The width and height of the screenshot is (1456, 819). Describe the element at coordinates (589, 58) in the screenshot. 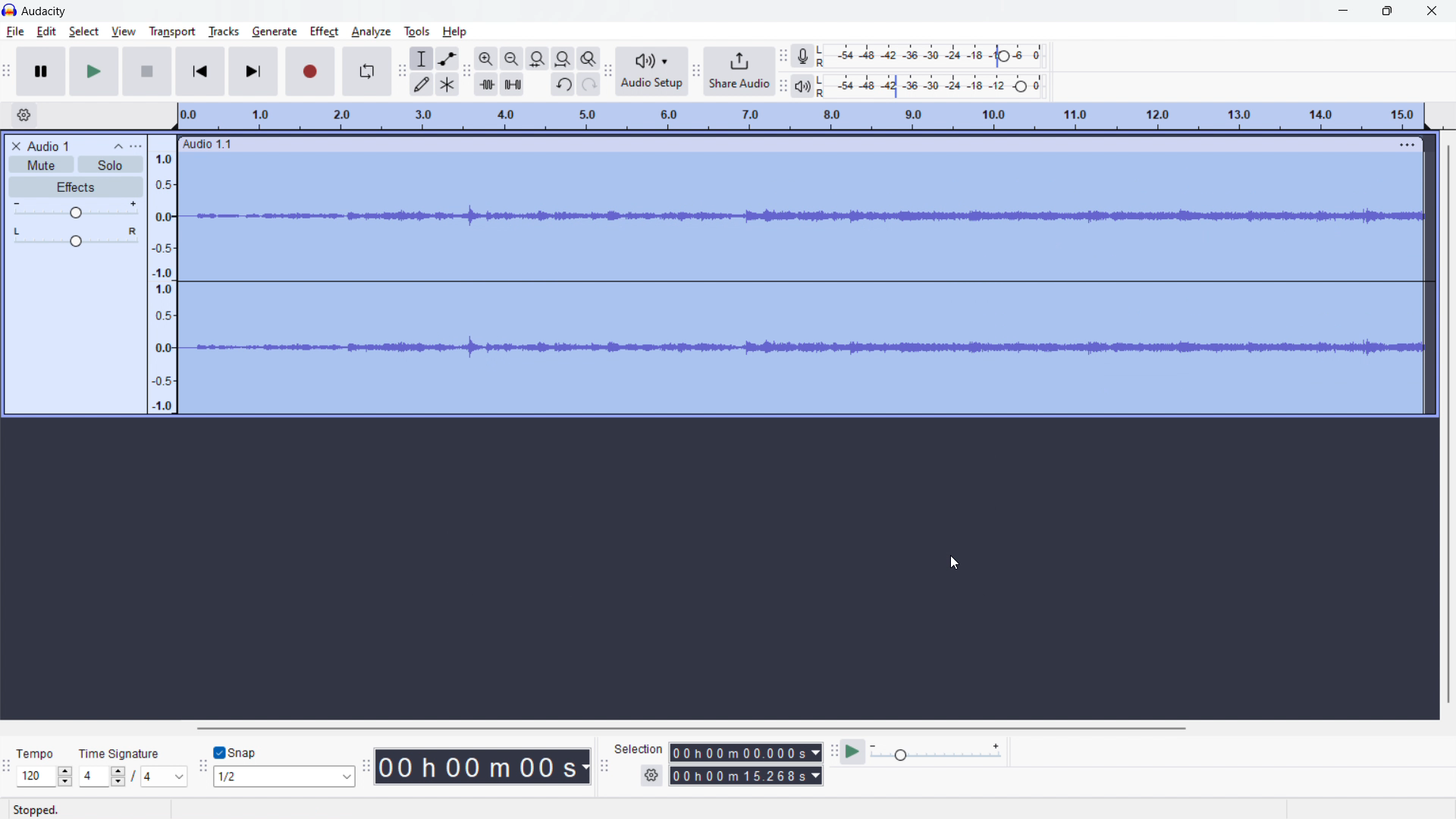

I see `toggle zoom` at that location.